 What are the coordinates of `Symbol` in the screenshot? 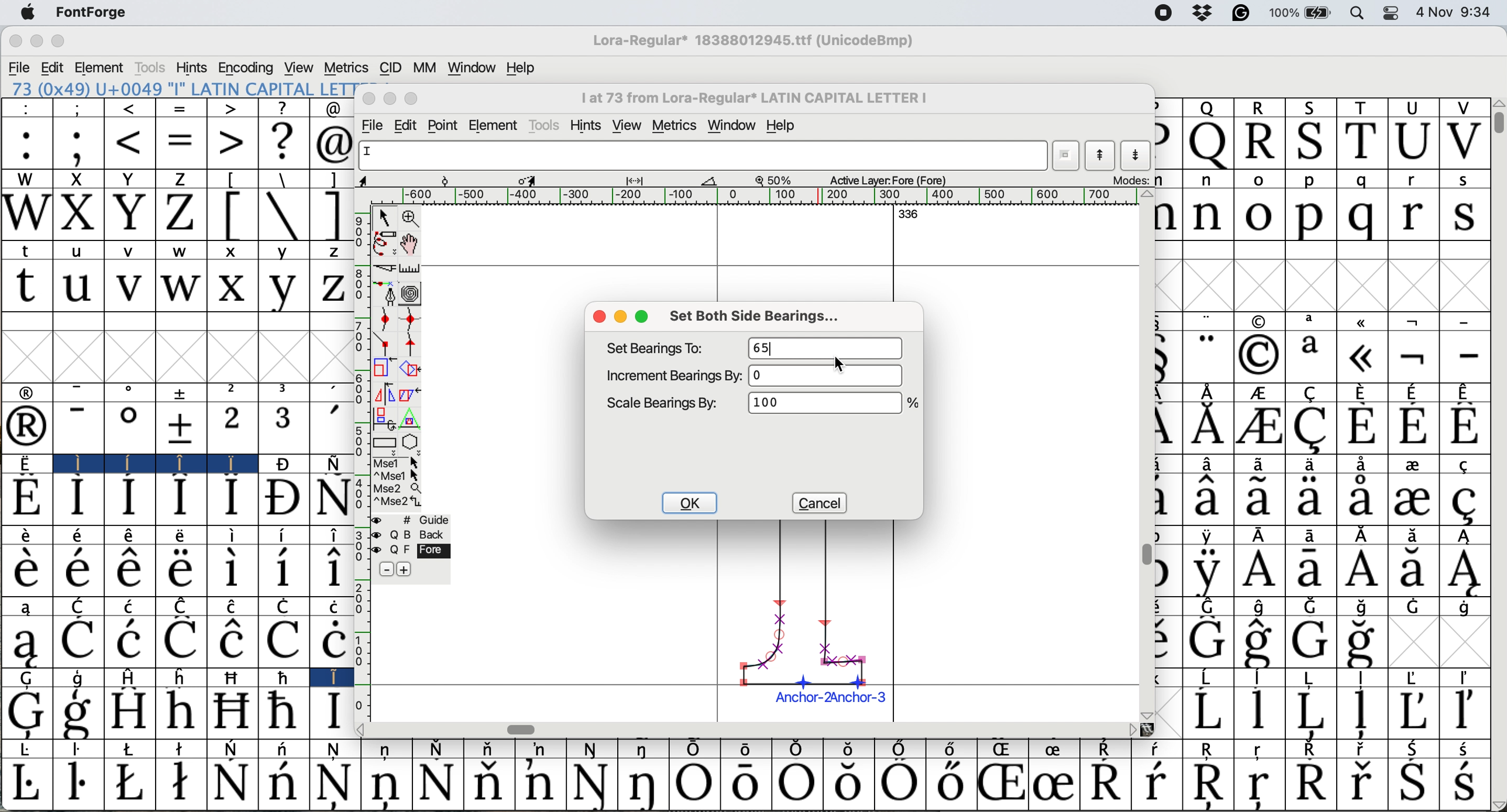 It's located at (1360, 426).